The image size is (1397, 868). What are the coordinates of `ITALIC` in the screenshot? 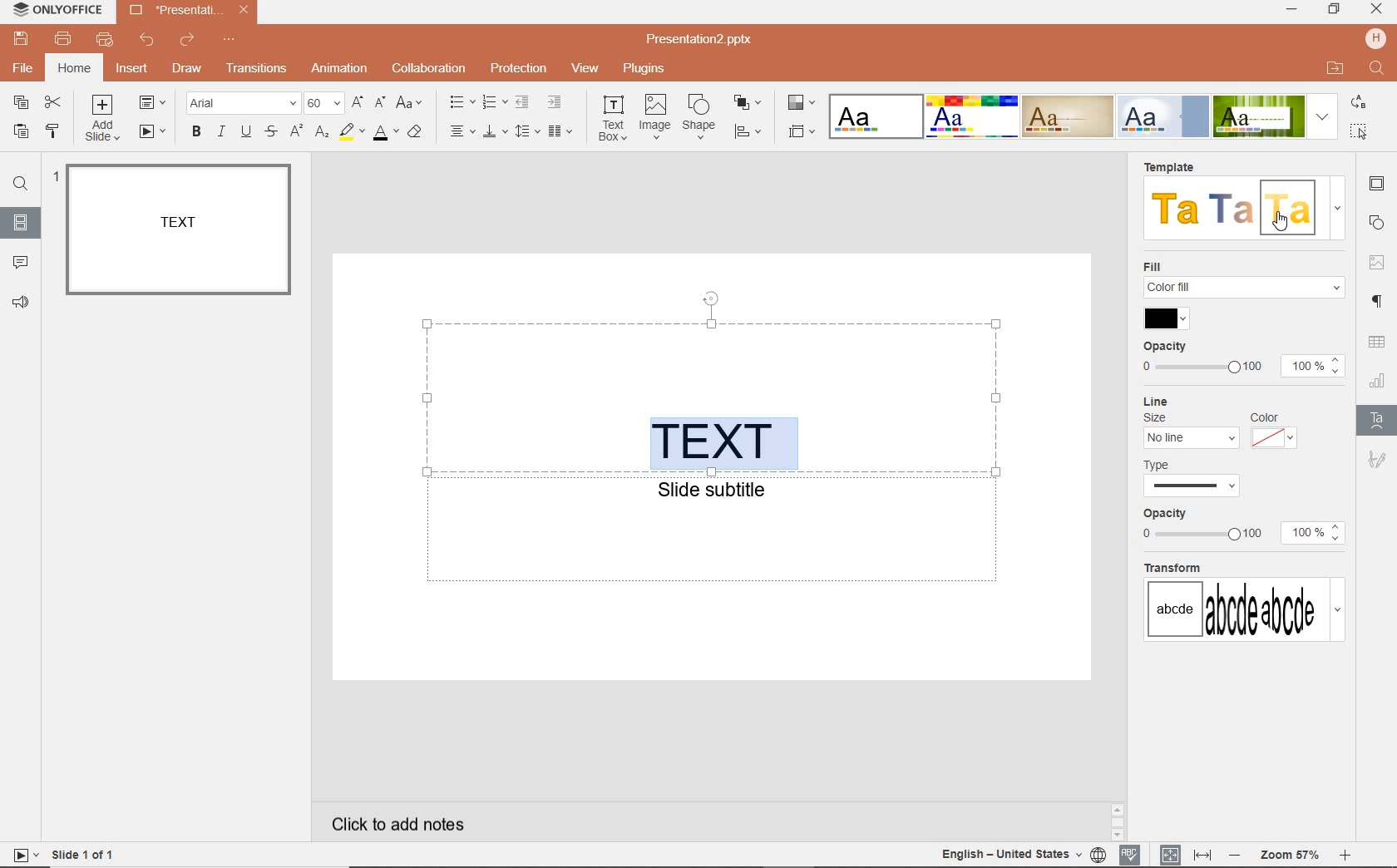 It's located at (221, 132).